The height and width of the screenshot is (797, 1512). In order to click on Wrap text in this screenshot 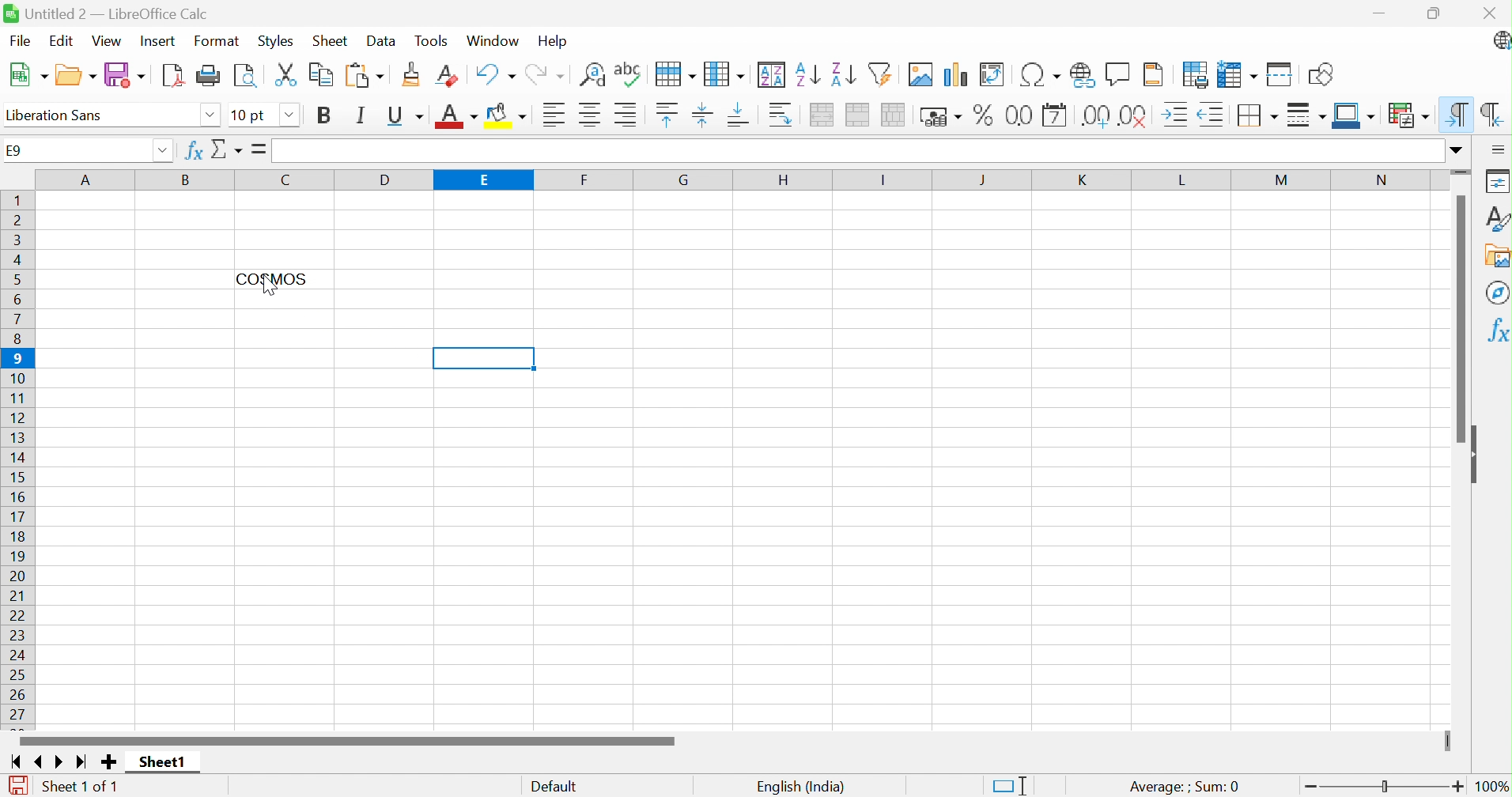, I will do `click(781, 115)`.